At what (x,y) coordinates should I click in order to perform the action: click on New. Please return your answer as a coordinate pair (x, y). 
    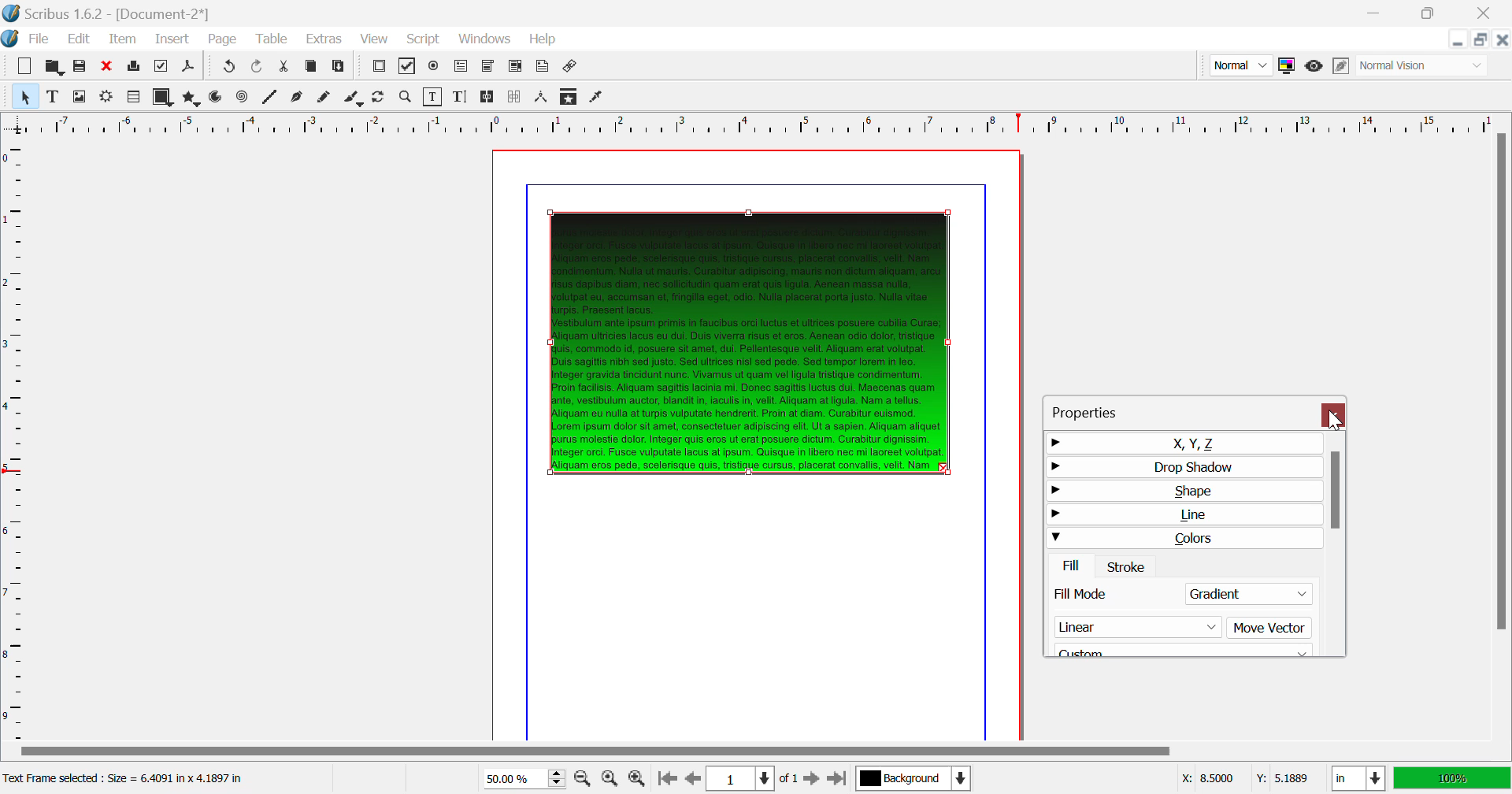
    Looking at the image, I should click on (25, 66).